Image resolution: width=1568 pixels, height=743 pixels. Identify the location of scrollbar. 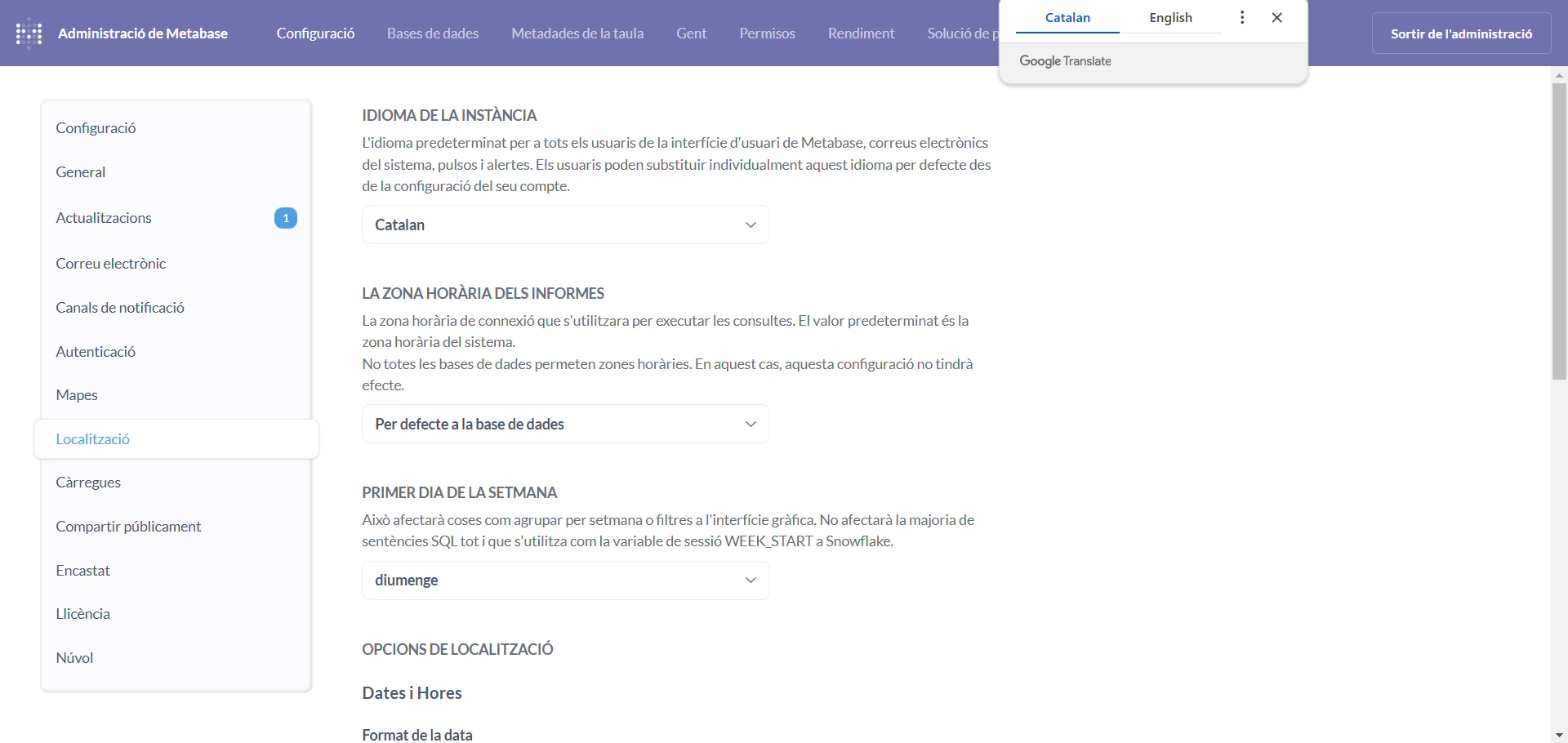
(1558, 259).